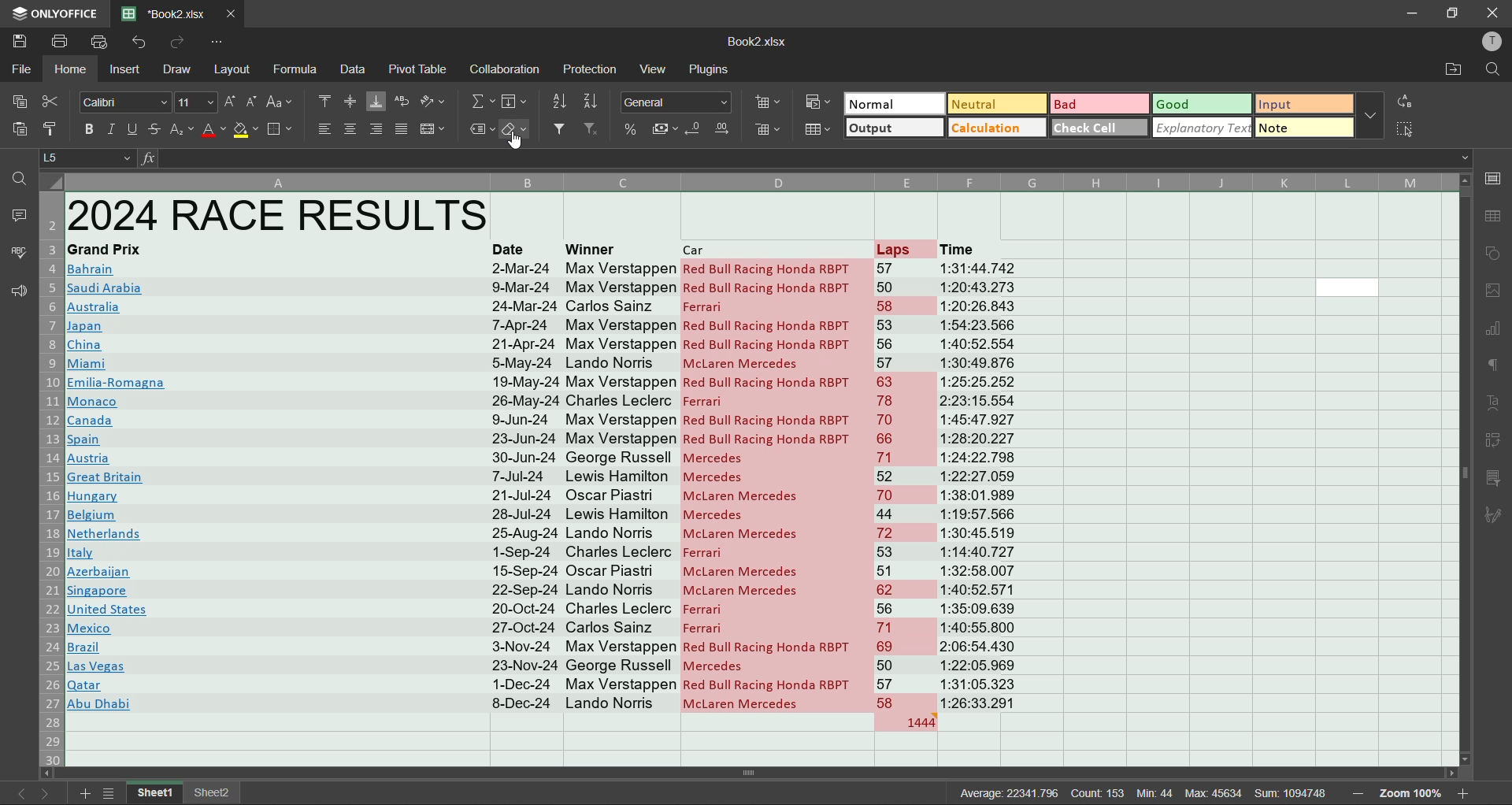  Describe the element at coordinates (52, 478) in the screenshot. I see `row numberss` at that location.